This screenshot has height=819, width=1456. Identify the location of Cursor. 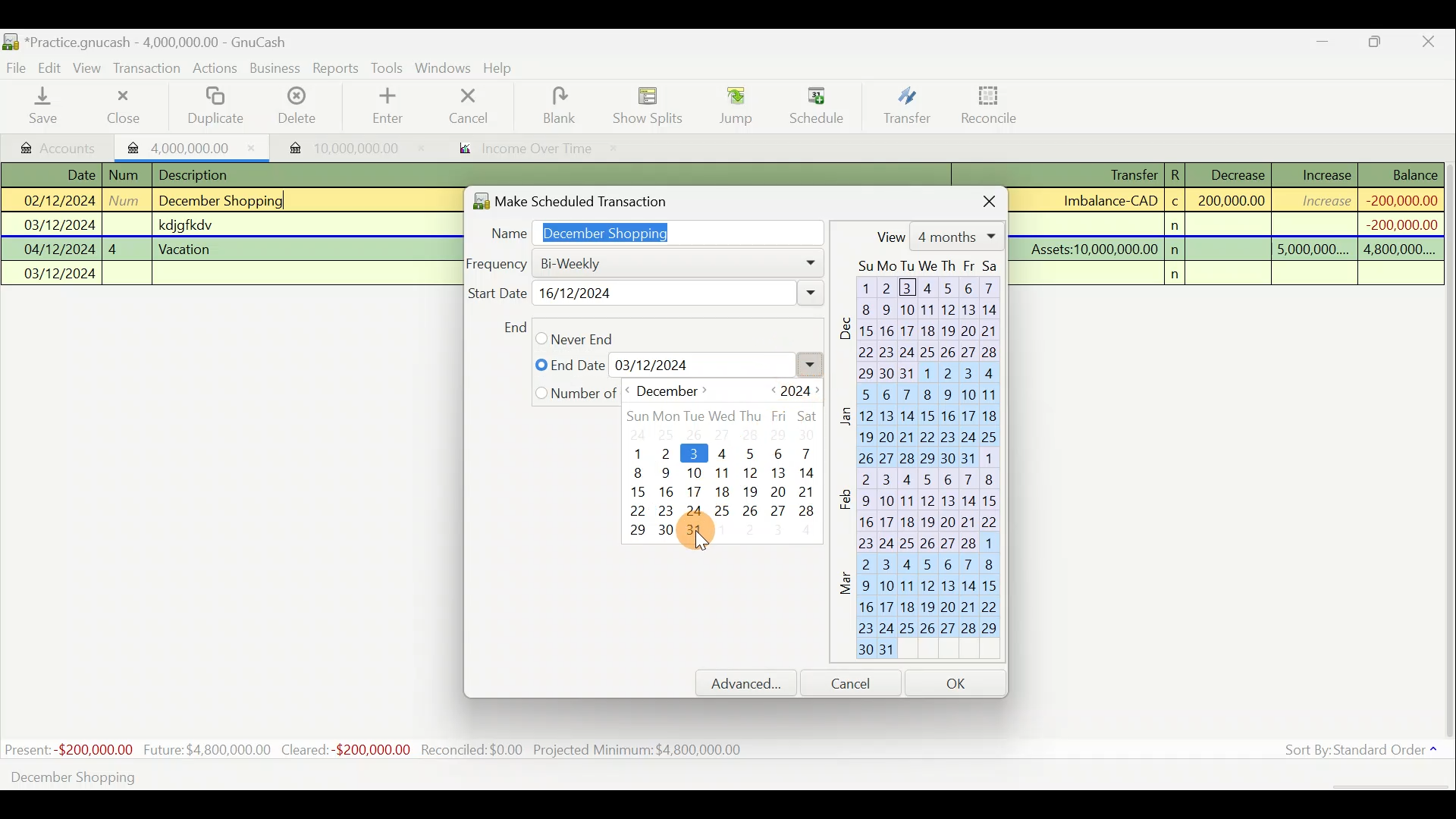
(711, 547).